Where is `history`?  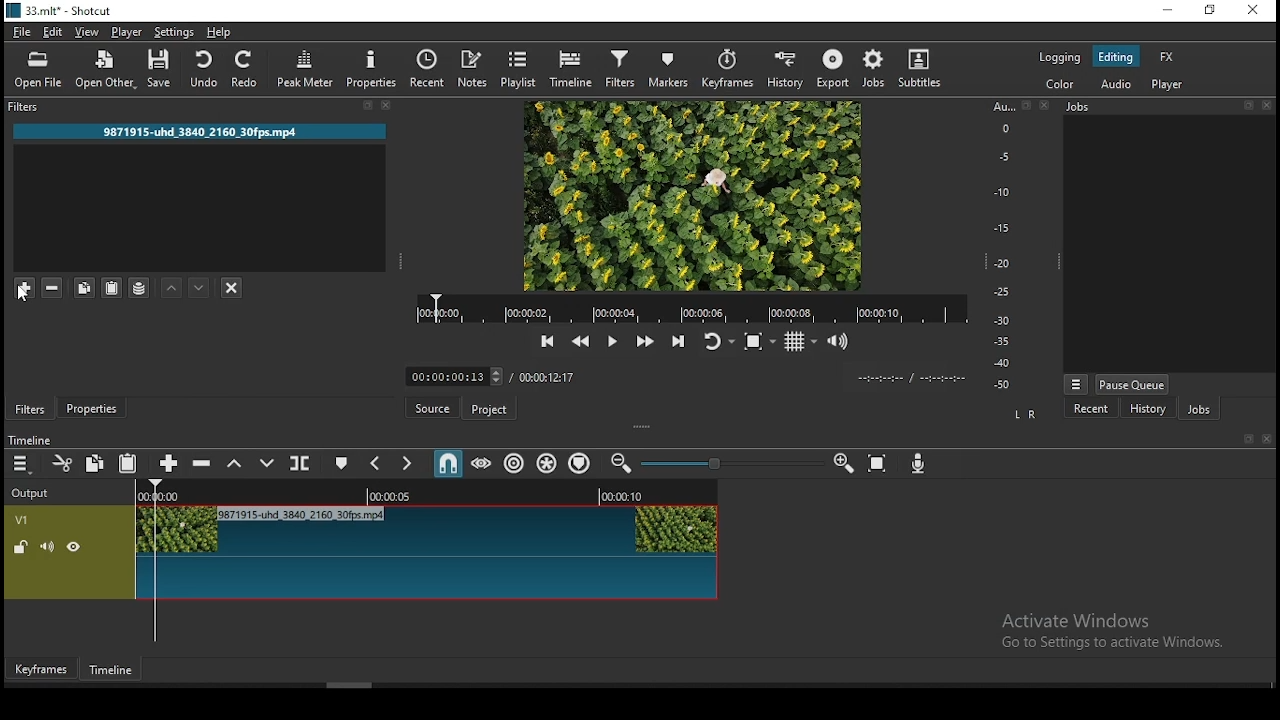
history is located at coordinates (789, 69).